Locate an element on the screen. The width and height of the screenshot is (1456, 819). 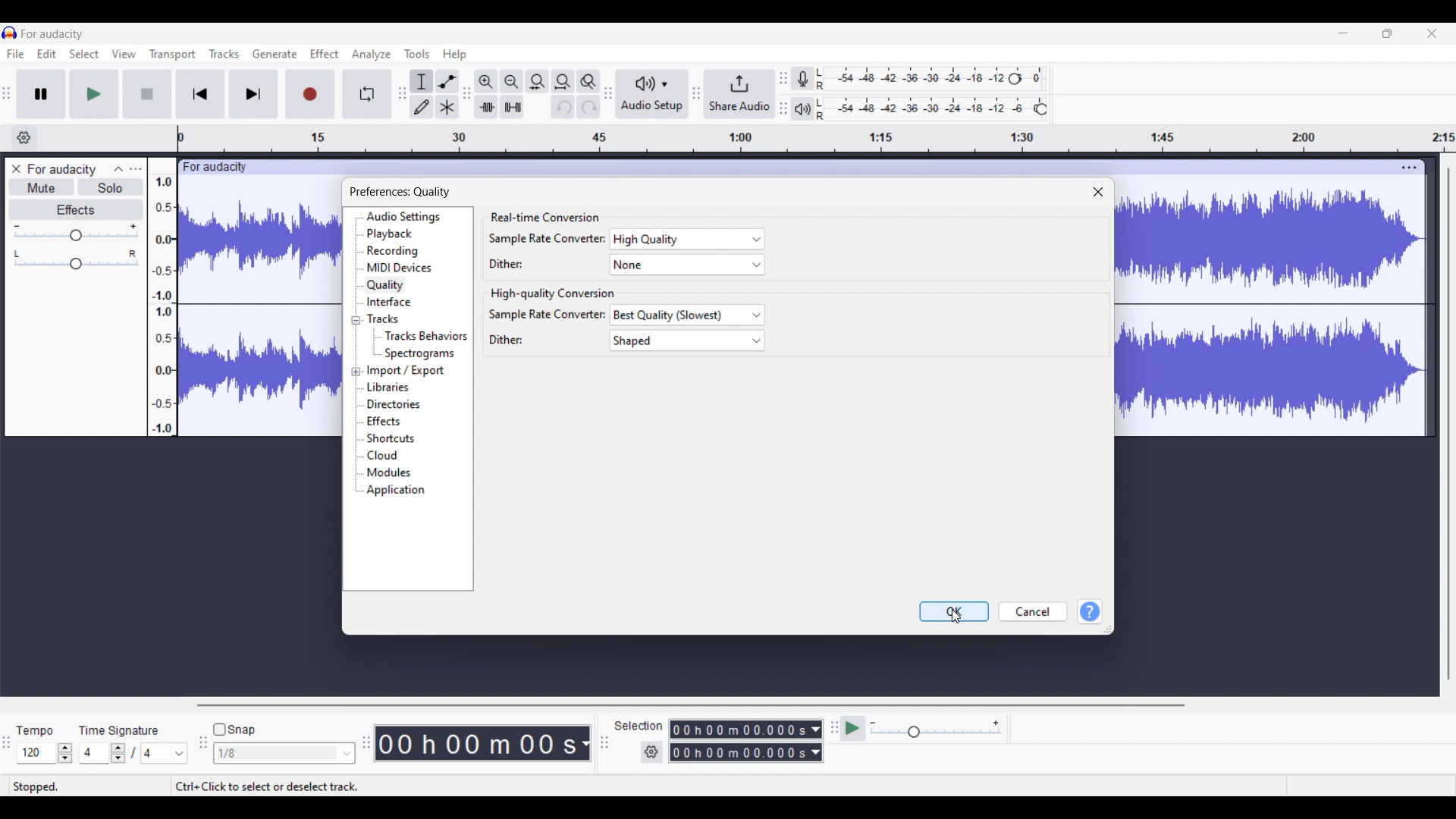
Modules is located at coordinates (389, 473).